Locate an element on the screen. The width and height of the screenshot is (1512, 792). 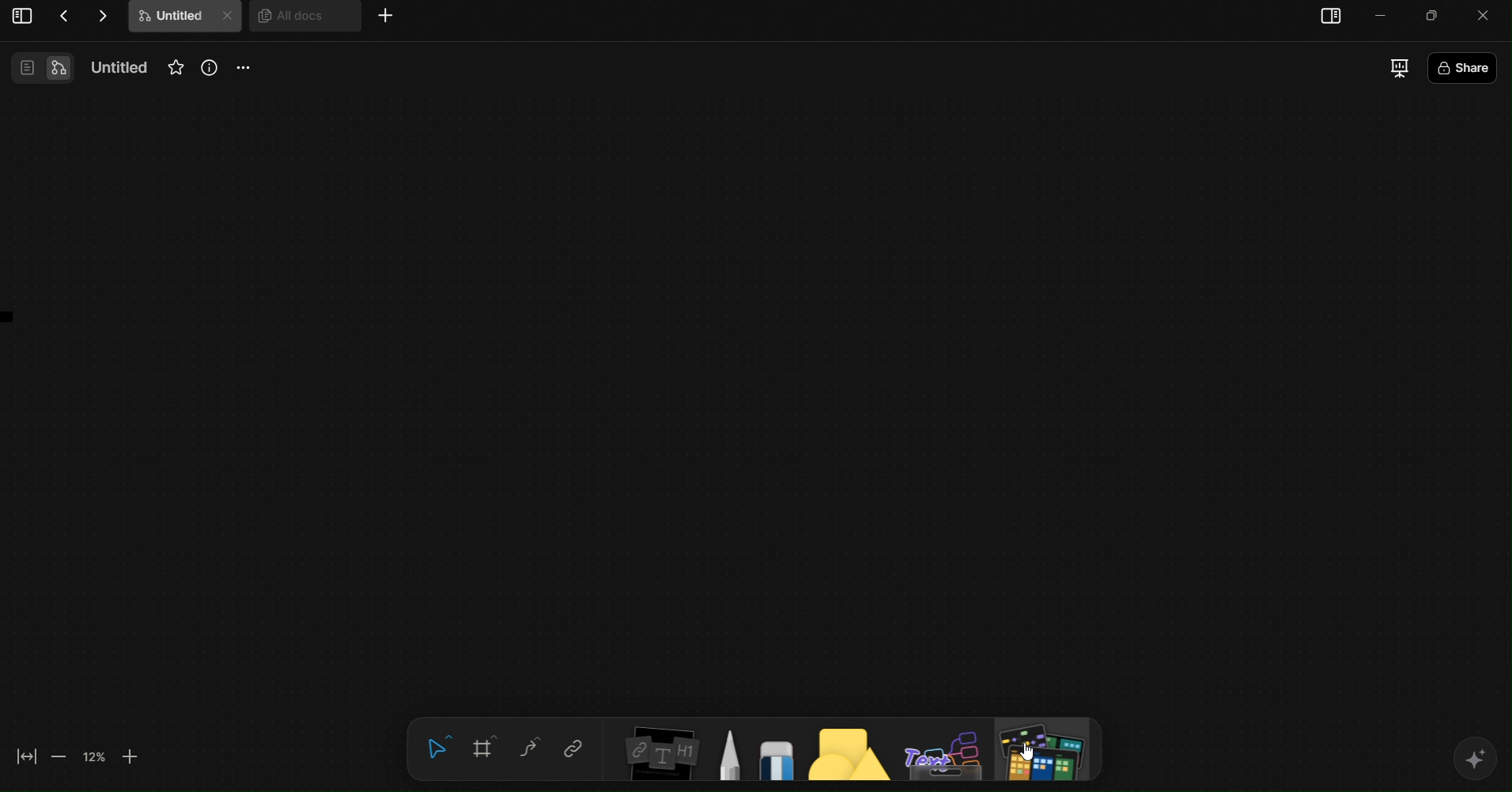
Link tool is located at coordinates (573, 749).